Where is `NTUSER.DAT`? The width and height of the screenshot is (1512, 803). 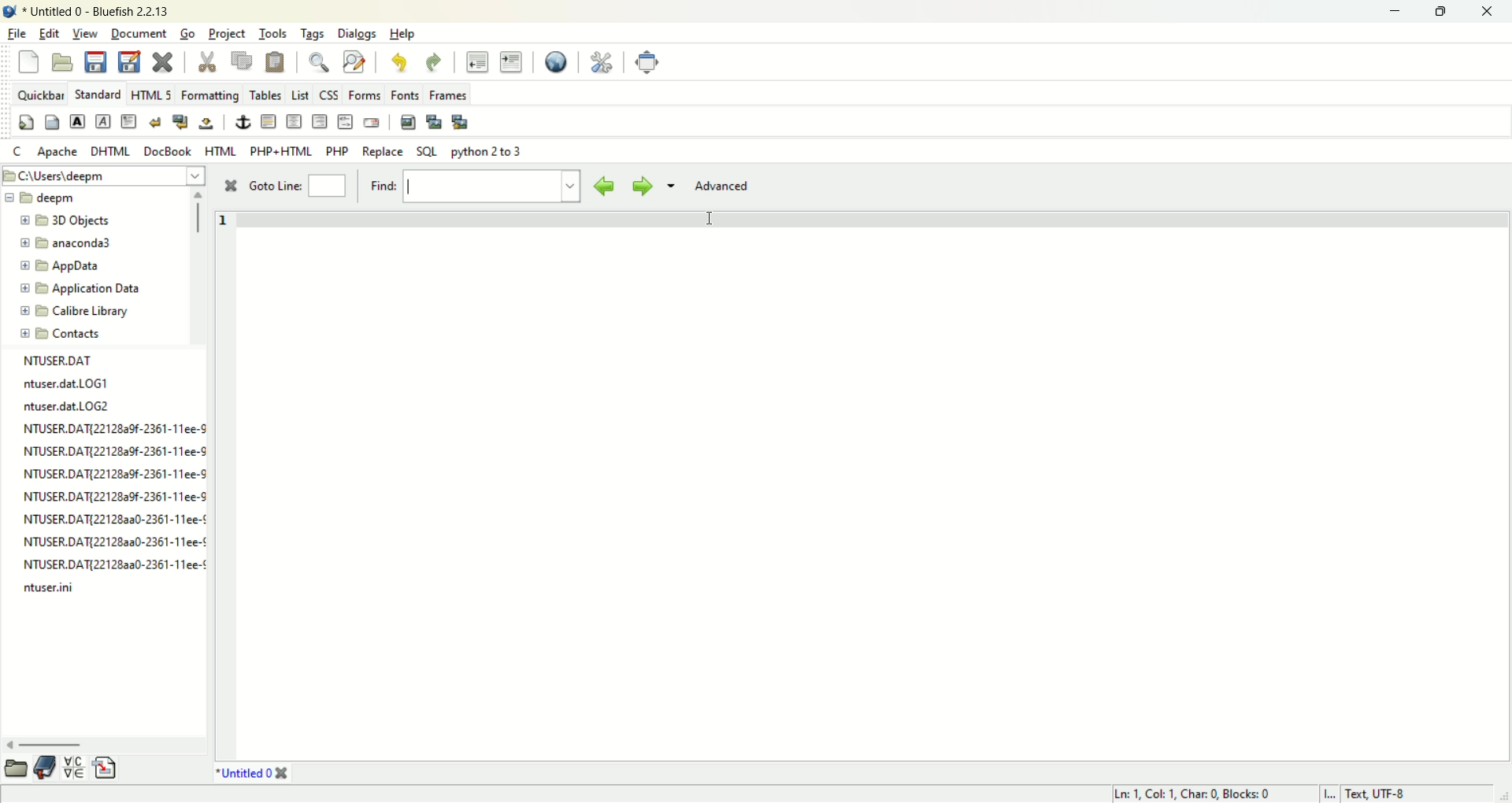 NTUSER.DAT is located at coordinates (61, 361).